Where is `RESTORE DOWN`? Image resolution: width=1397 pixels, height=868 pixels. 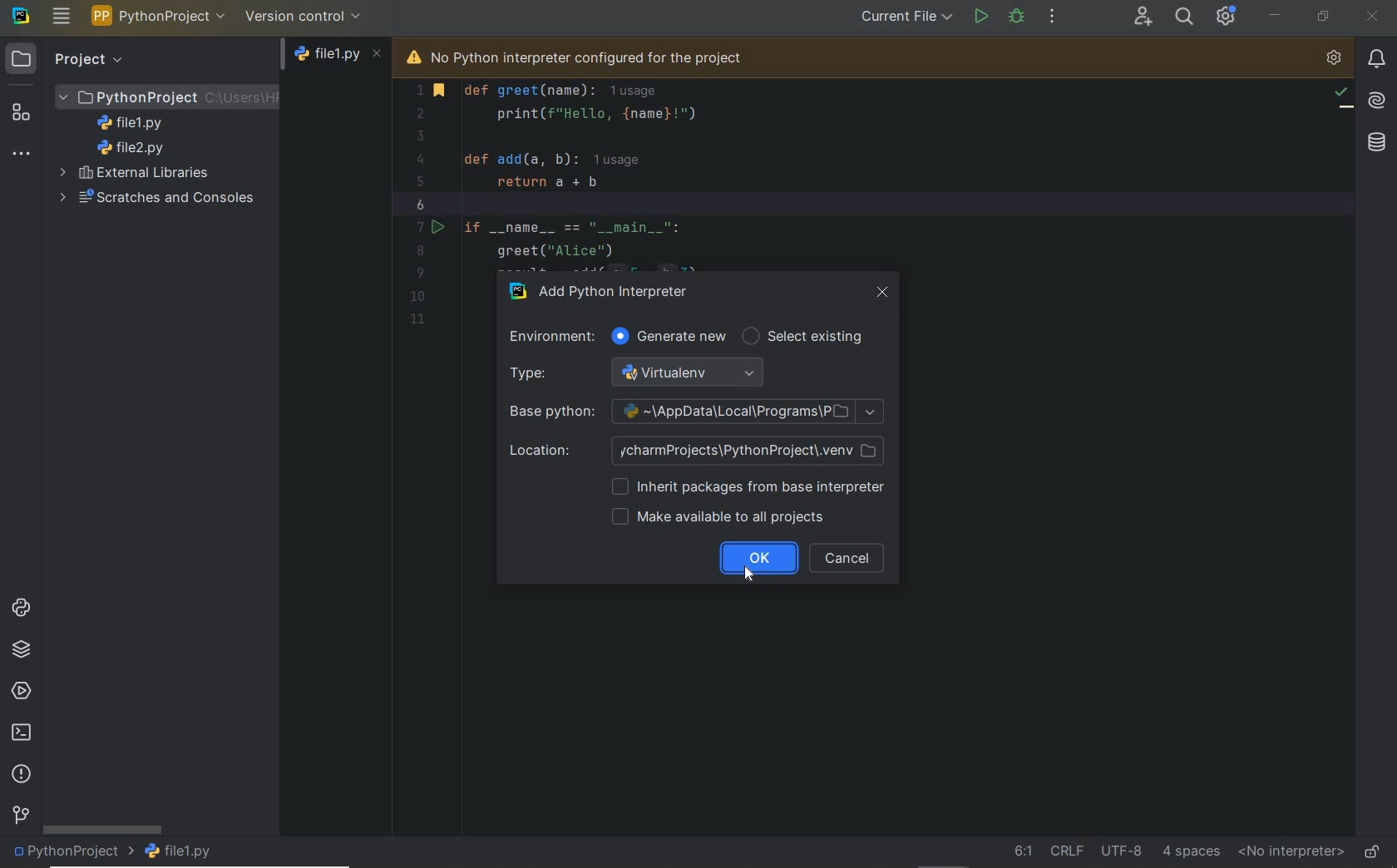
RESTORE DOWN is located at coordinates (1322, 16).